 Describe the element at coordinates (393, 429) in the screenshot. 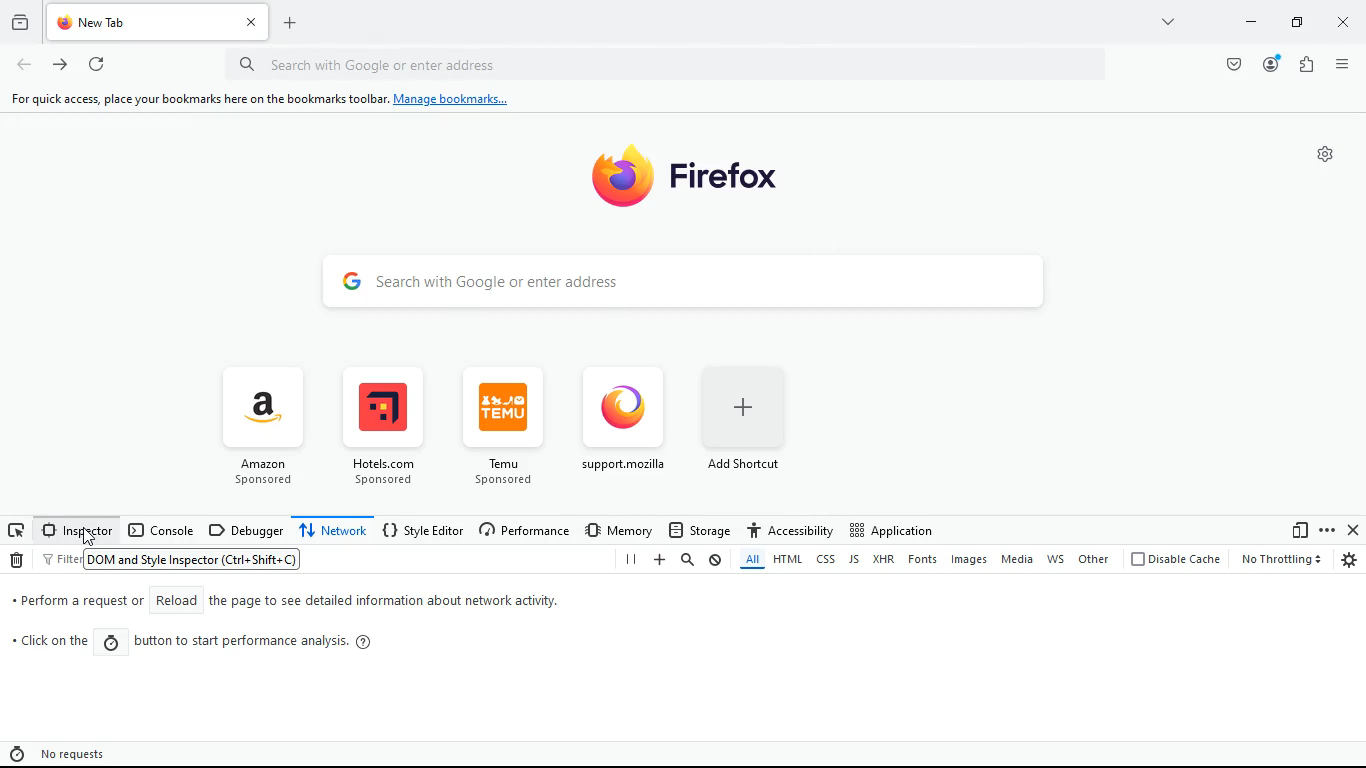

I see `hotels.com` at that location.